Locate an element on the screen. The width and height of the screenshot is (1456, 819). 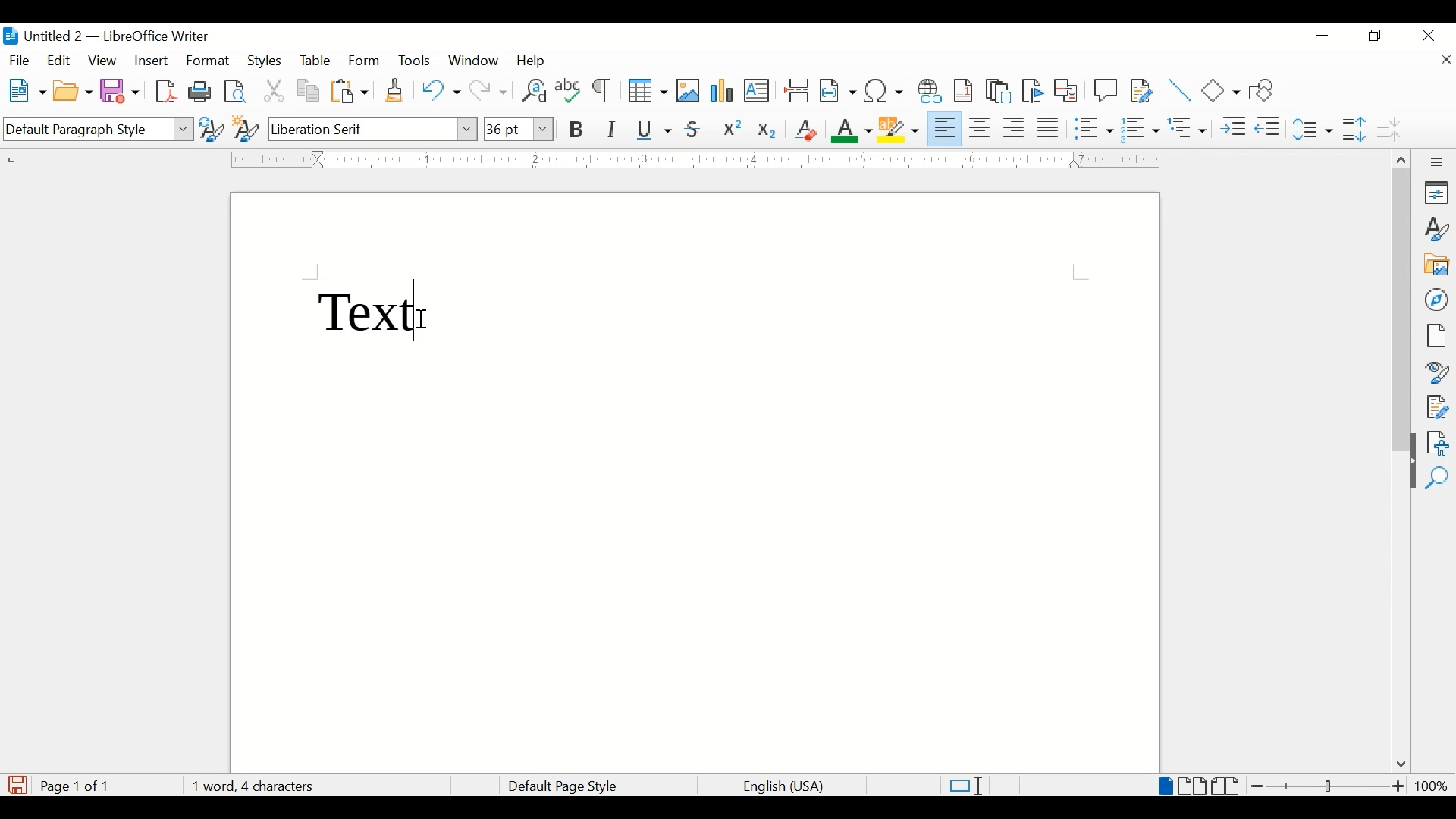
underline is located at coordinates (654, 130).